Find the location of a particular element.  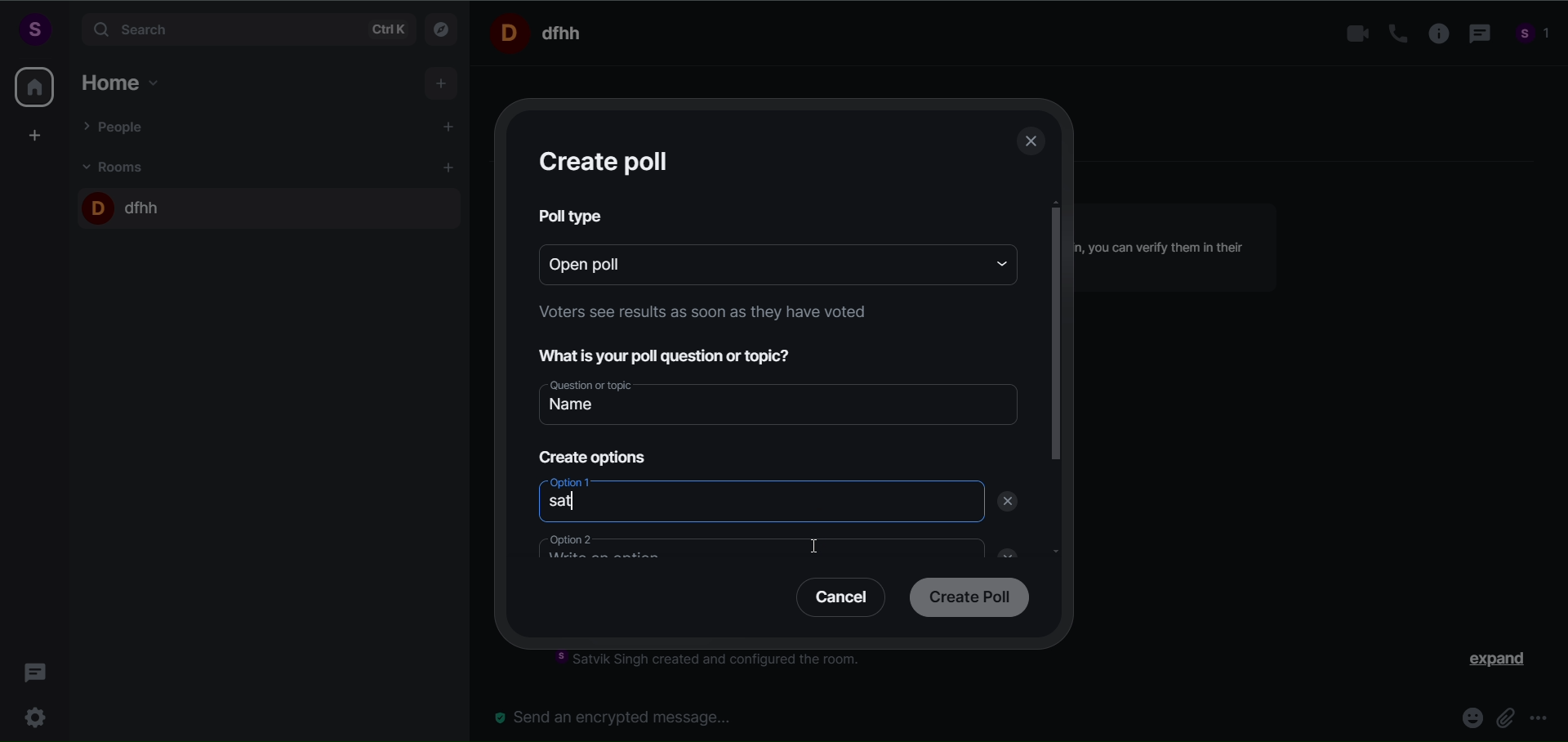

home option is located at coordinates (127, 80).